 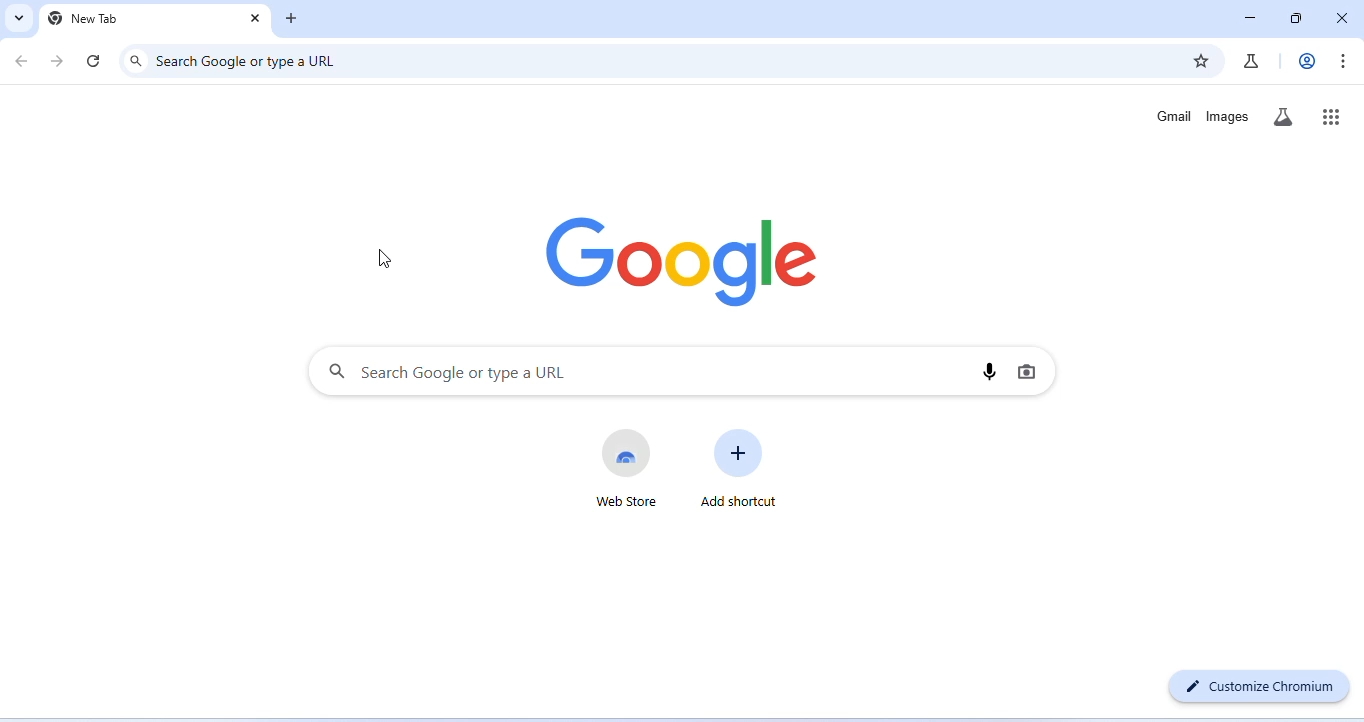 What do you see at coordinates (136, 60) in the screenshot?
I see `search icon` at bounding box center [136, 60].